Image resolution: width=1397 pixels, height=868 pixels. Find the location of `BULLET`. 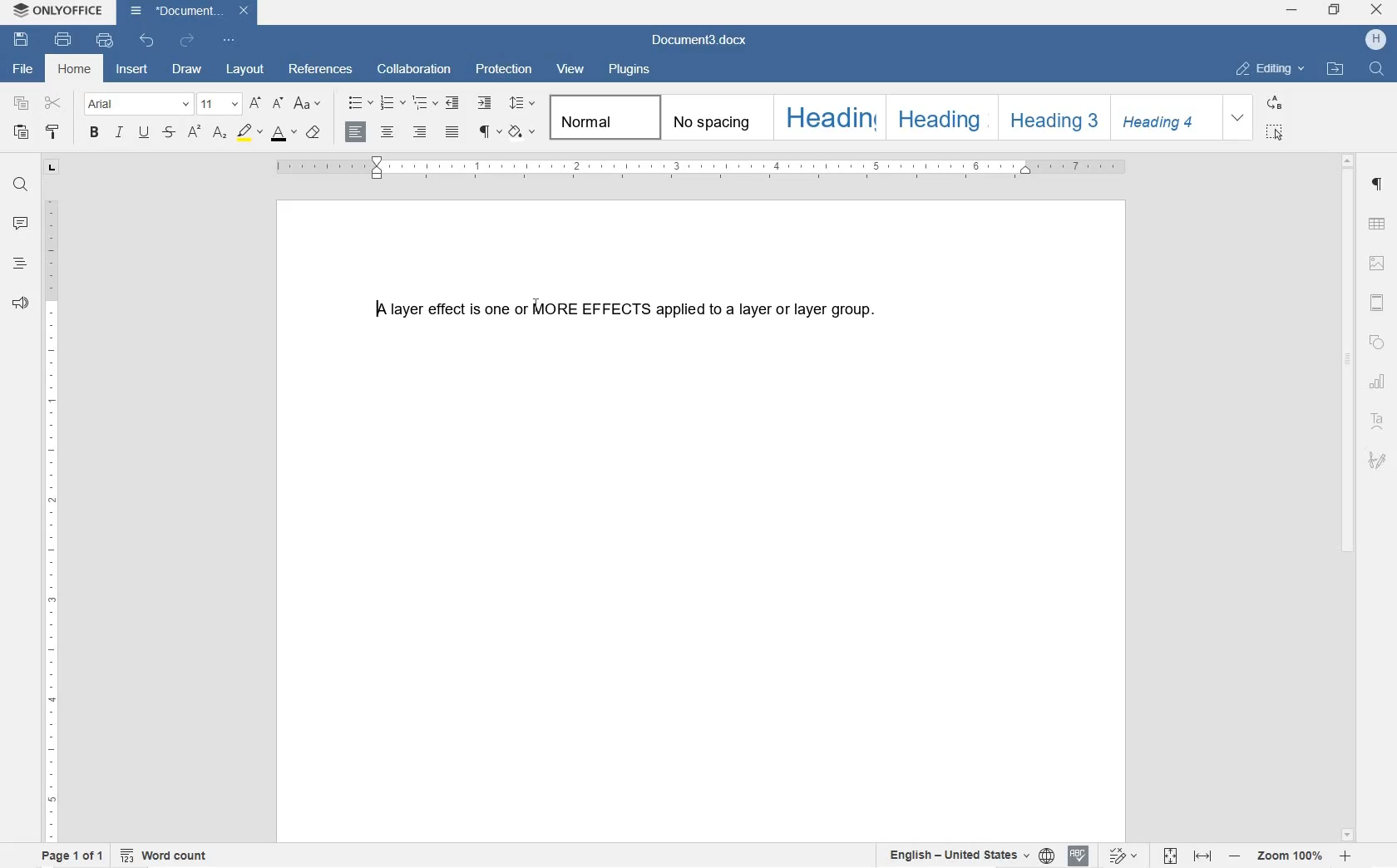

BULLET is located at coordinates (359, 104).